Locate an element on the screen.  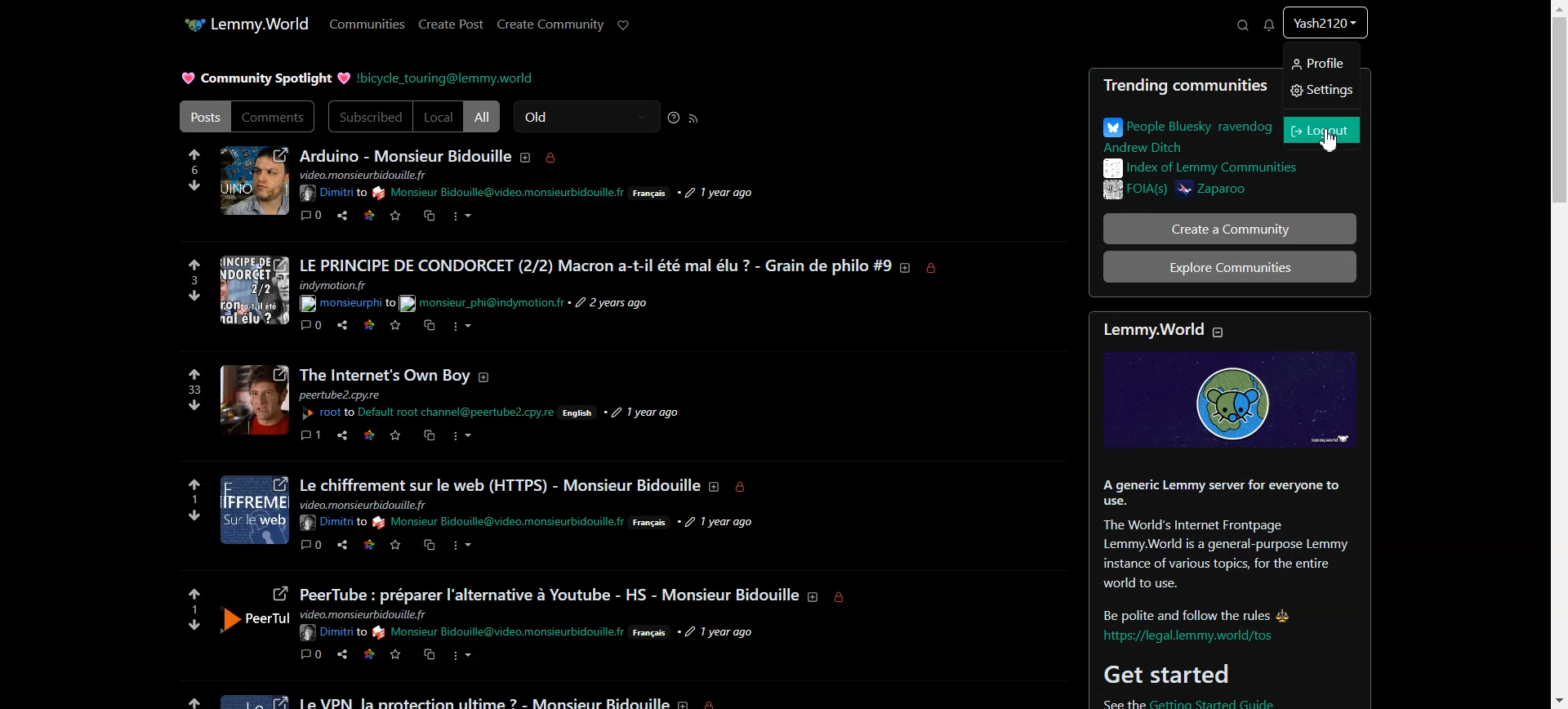
about is located at coordinates (491, 377).